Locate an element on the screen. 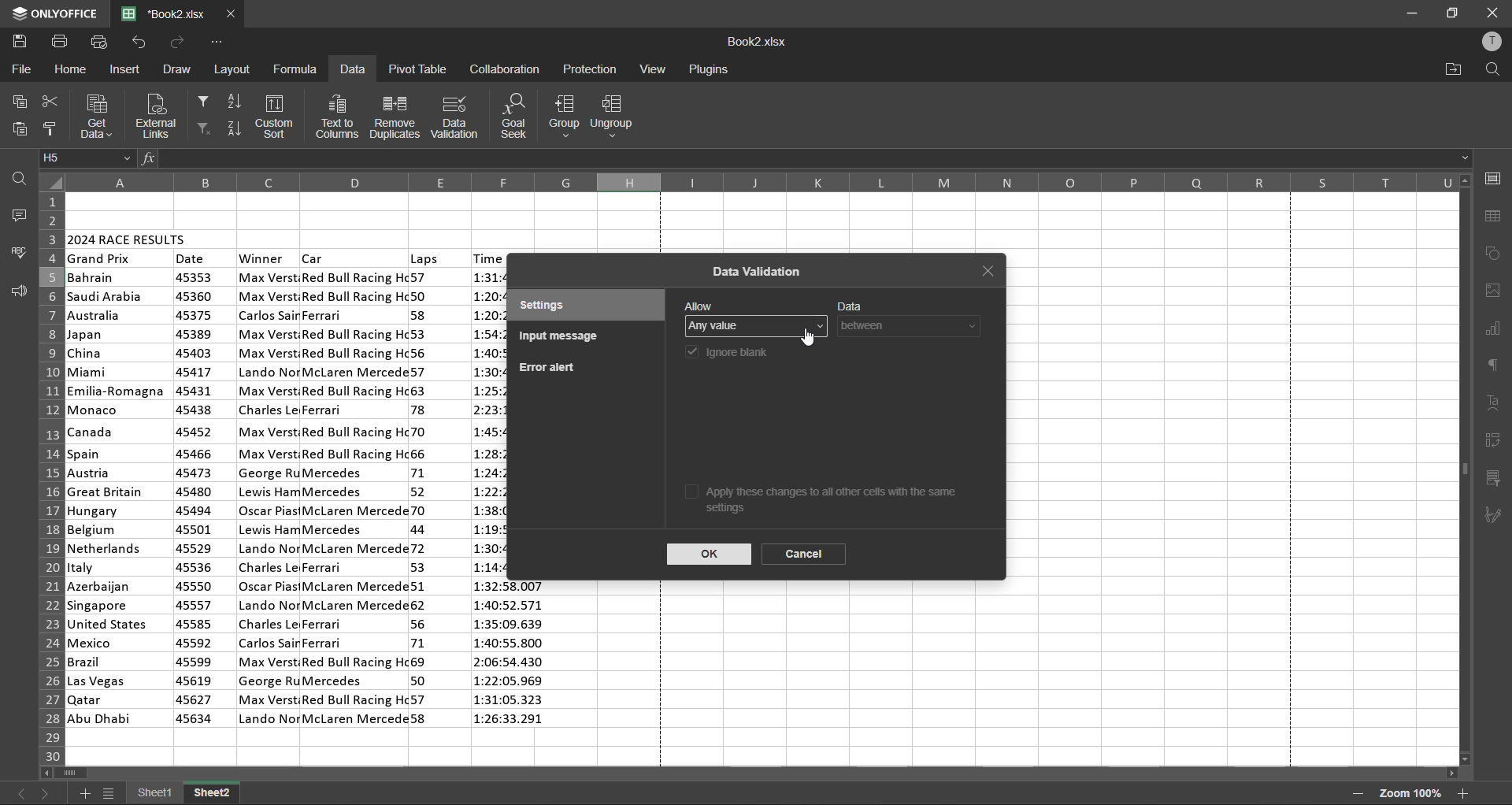  allow is located at coordinates (699, 305).